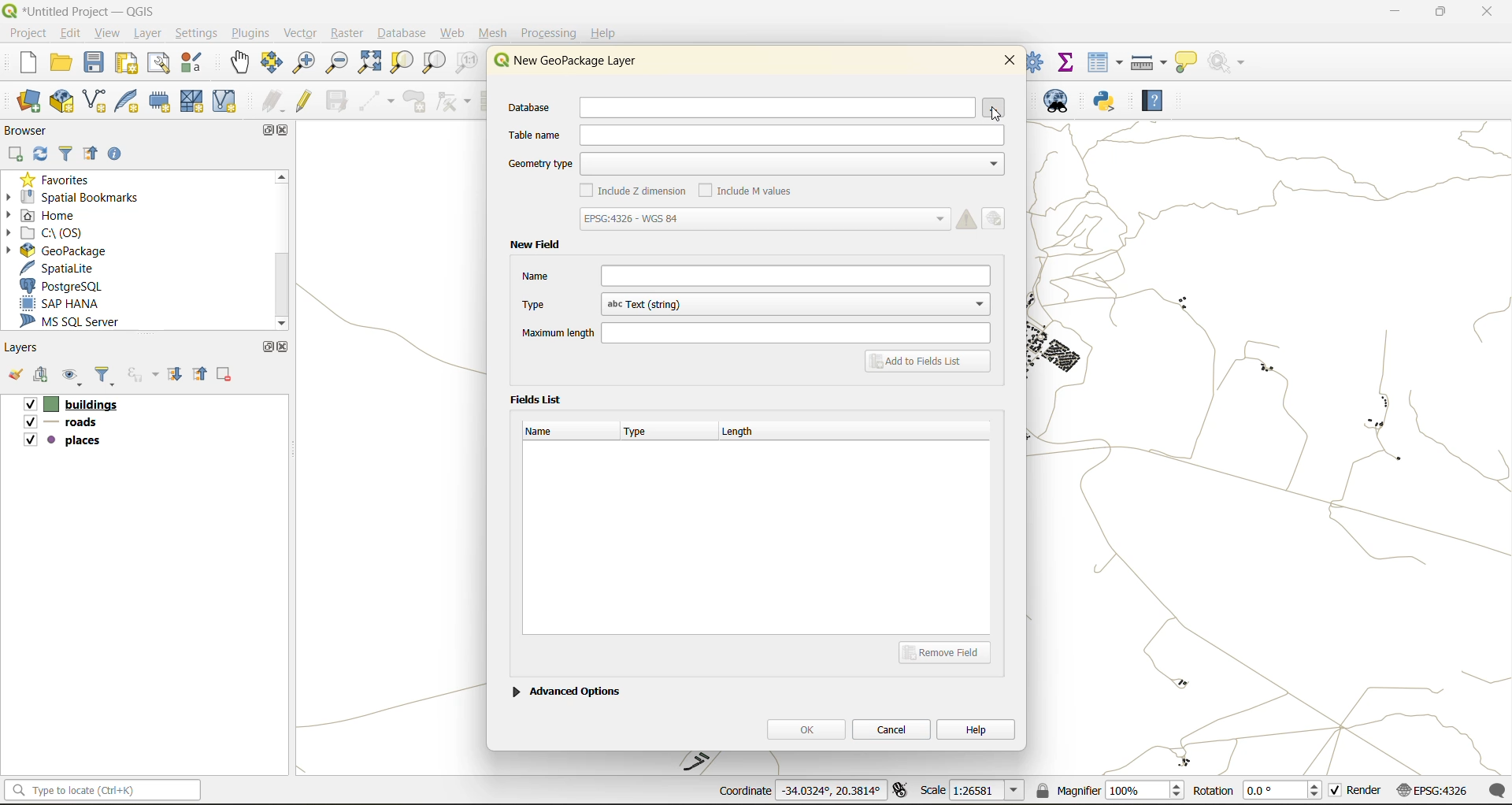  I want to click on render, so click(1357, 793).